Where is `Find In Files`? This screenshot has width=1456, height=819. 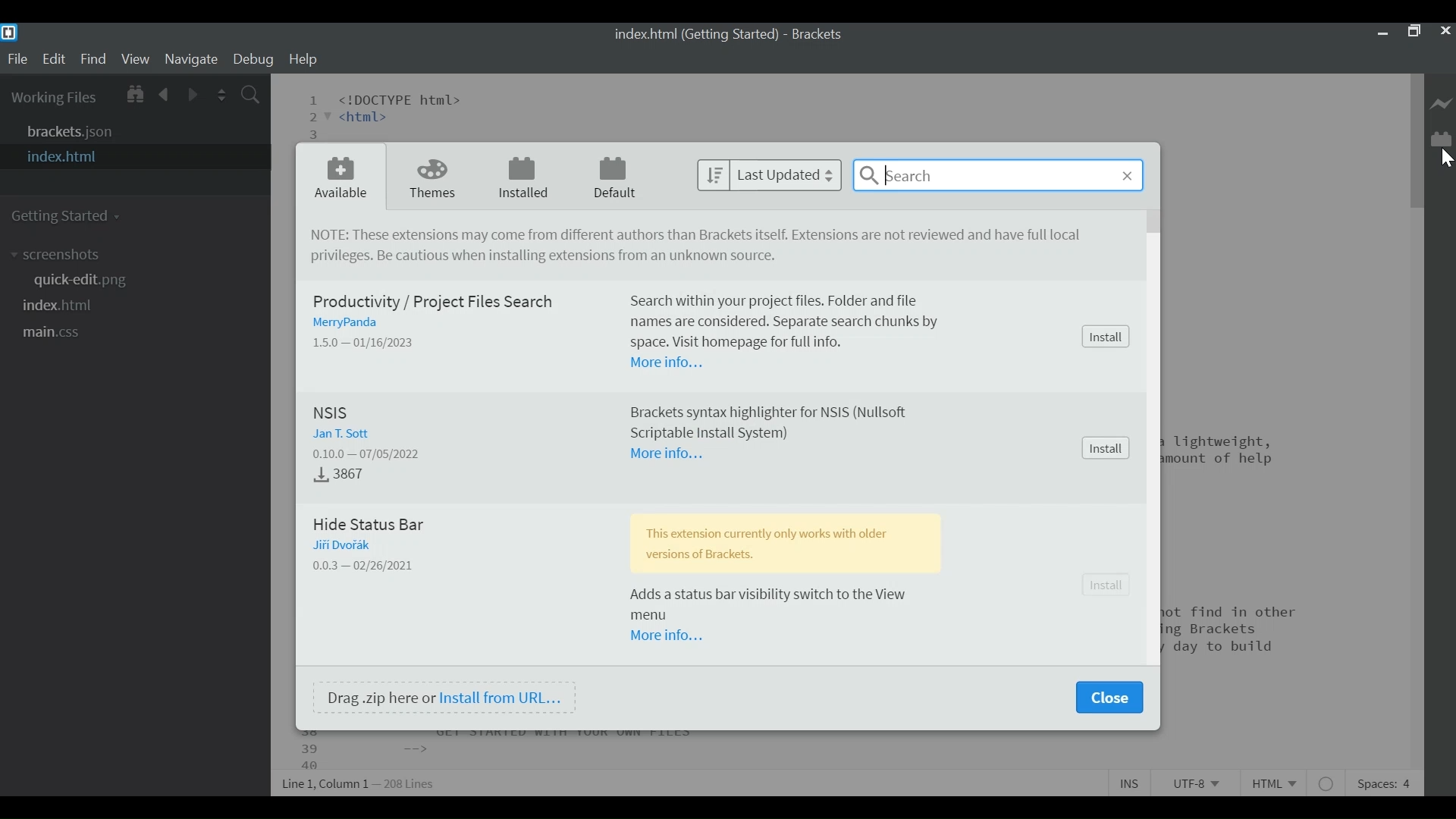
Find In Files is located at coordinates (252, 93).